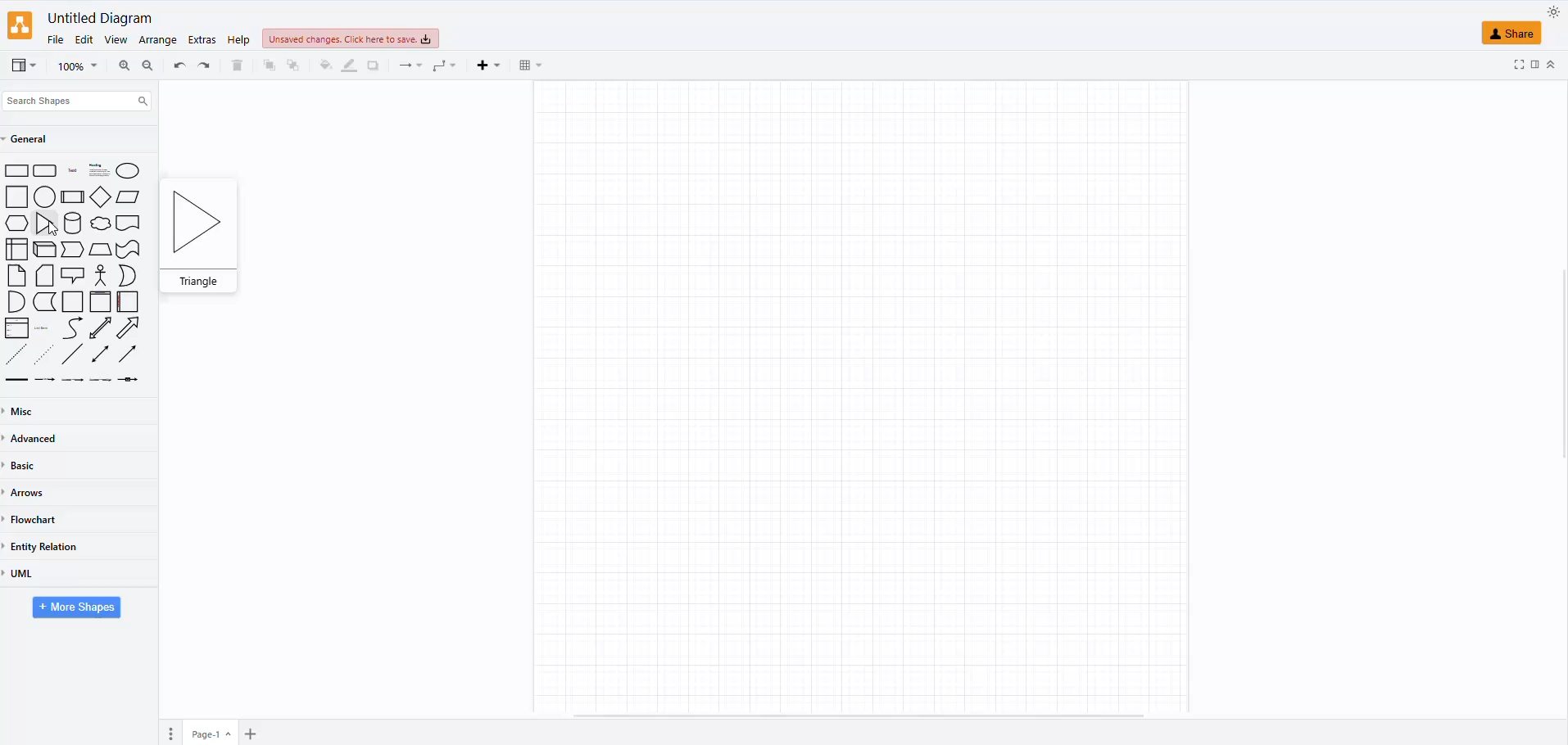 The width and height of the screenshot is (1568, 745). What do you see at coordinates (47, 223) in the screenshot?
I see `Triangle` at bounding box center [47, 223].